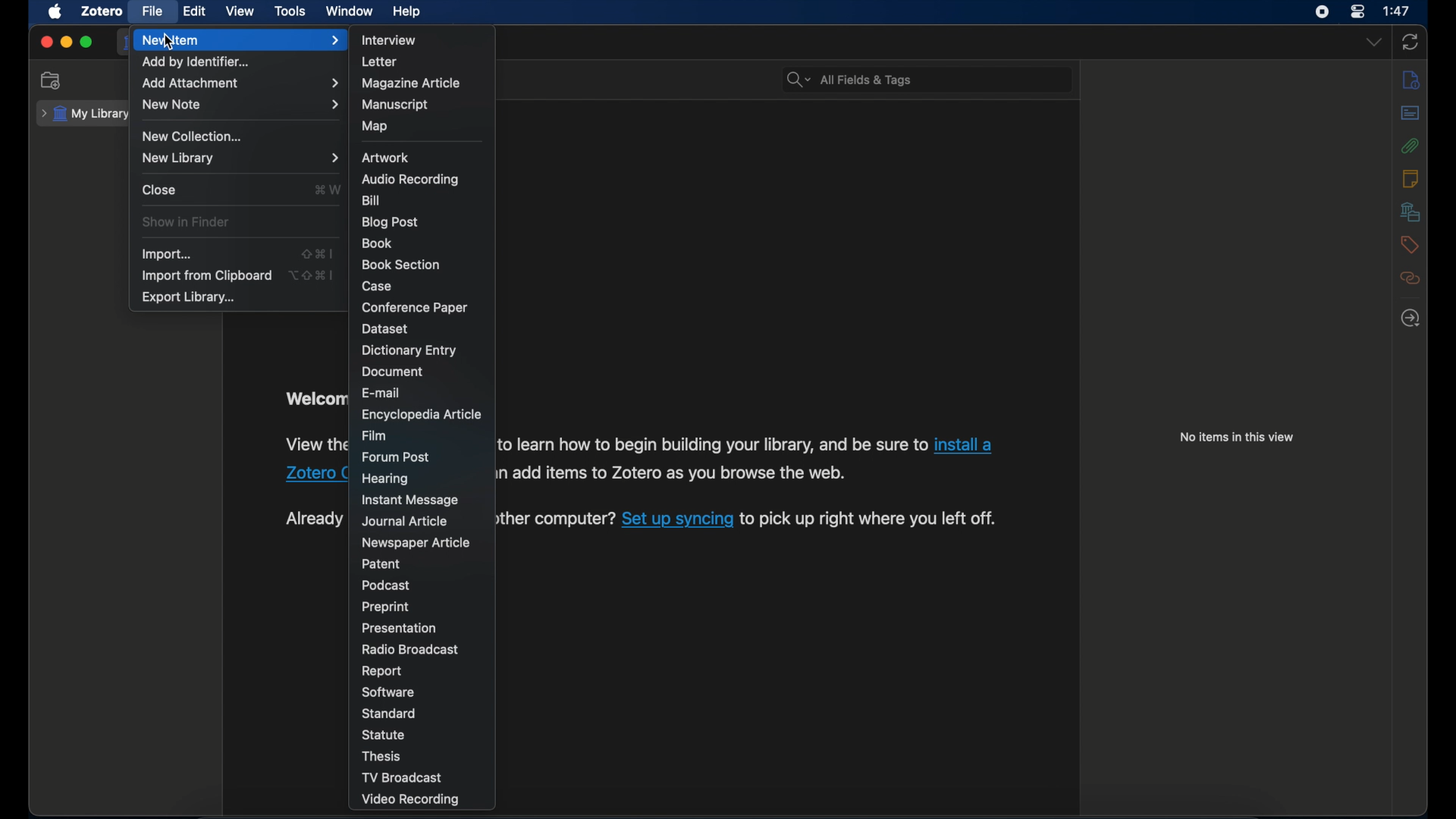  What do you see at coordinates (415, 543) in the screenshot?
I see `newspaper article` at bounding box center [415, 543].